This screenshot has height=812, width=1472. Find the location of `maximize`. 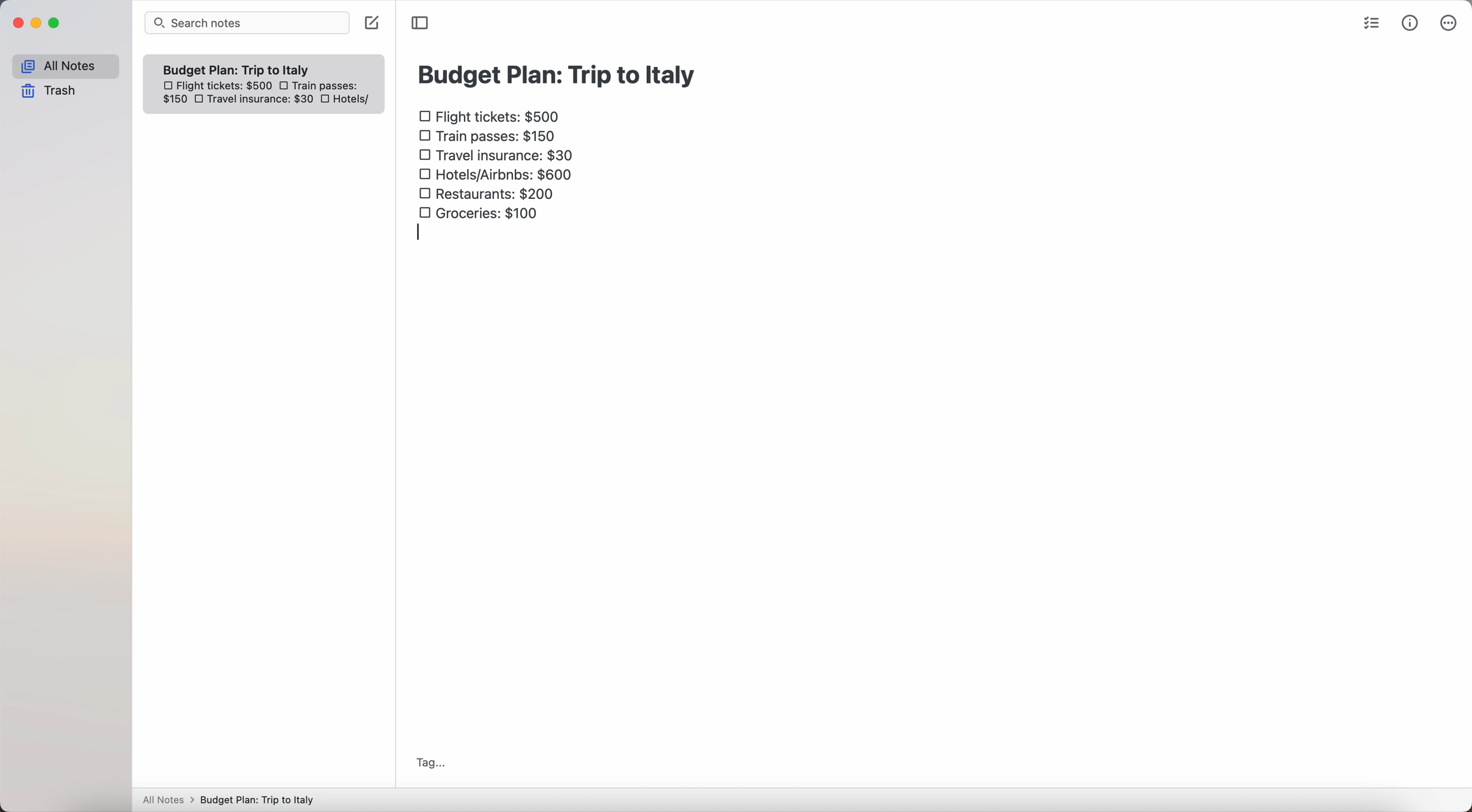

maximize is located at coordinates (57, 23).